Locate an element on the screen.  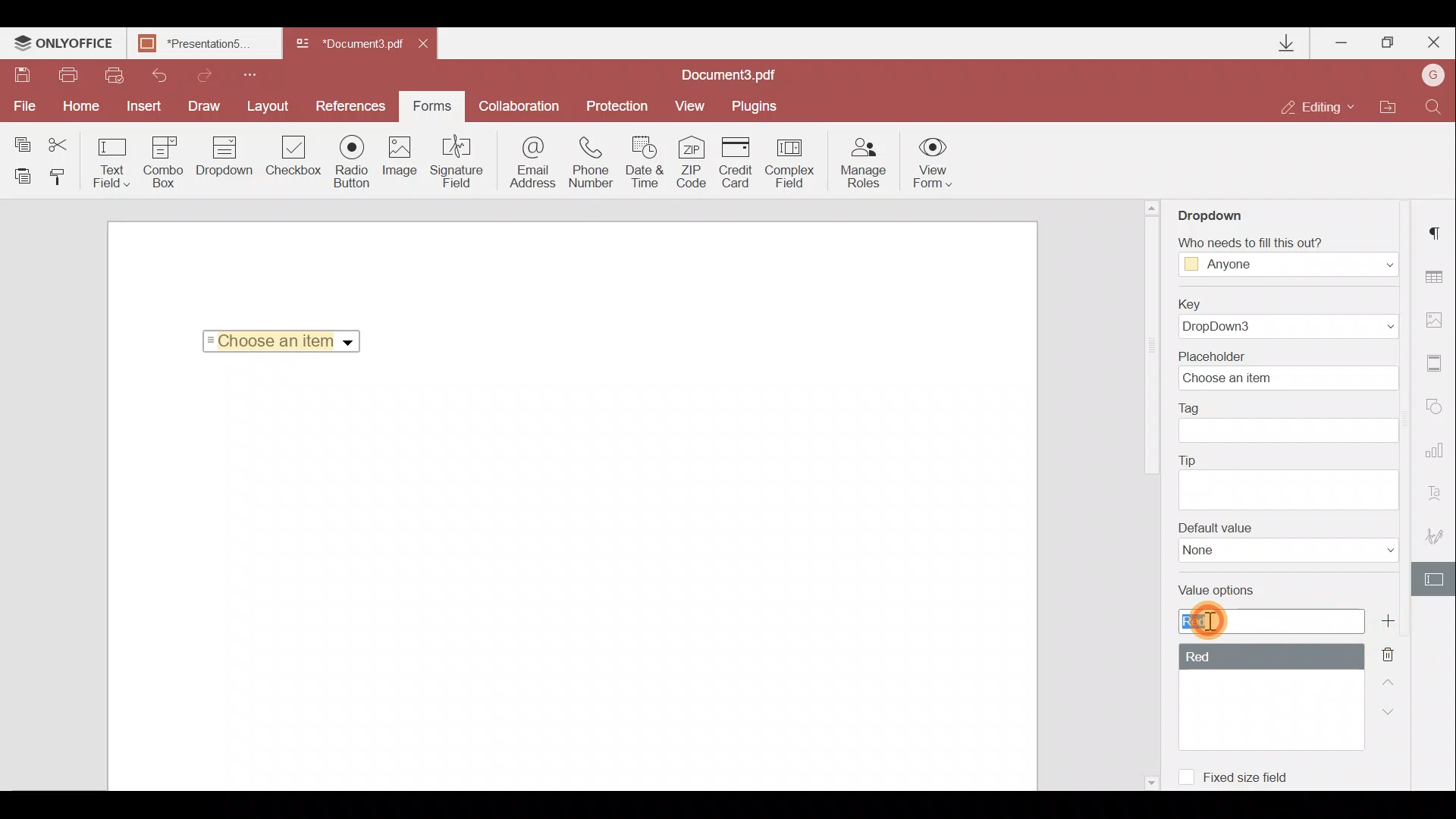
Fixed size field is located at coordinates (1255, 780).